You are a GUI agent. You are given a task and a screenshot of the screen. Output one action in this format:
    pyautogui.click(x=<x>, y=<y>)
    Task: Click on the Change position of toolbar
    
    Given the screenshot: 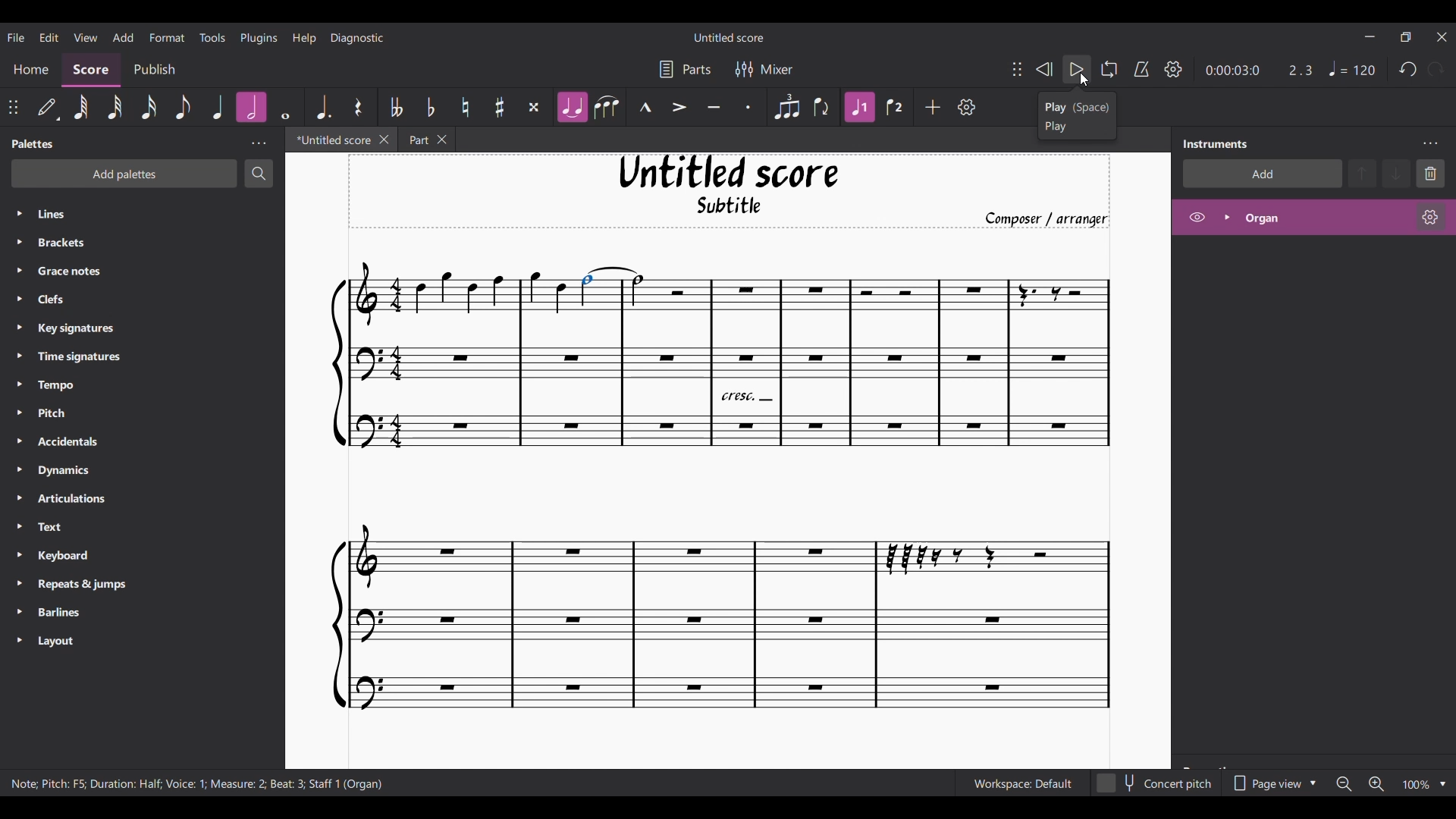 What is the action you would take?
    pyautogui.click(x=1016, y=68)
    